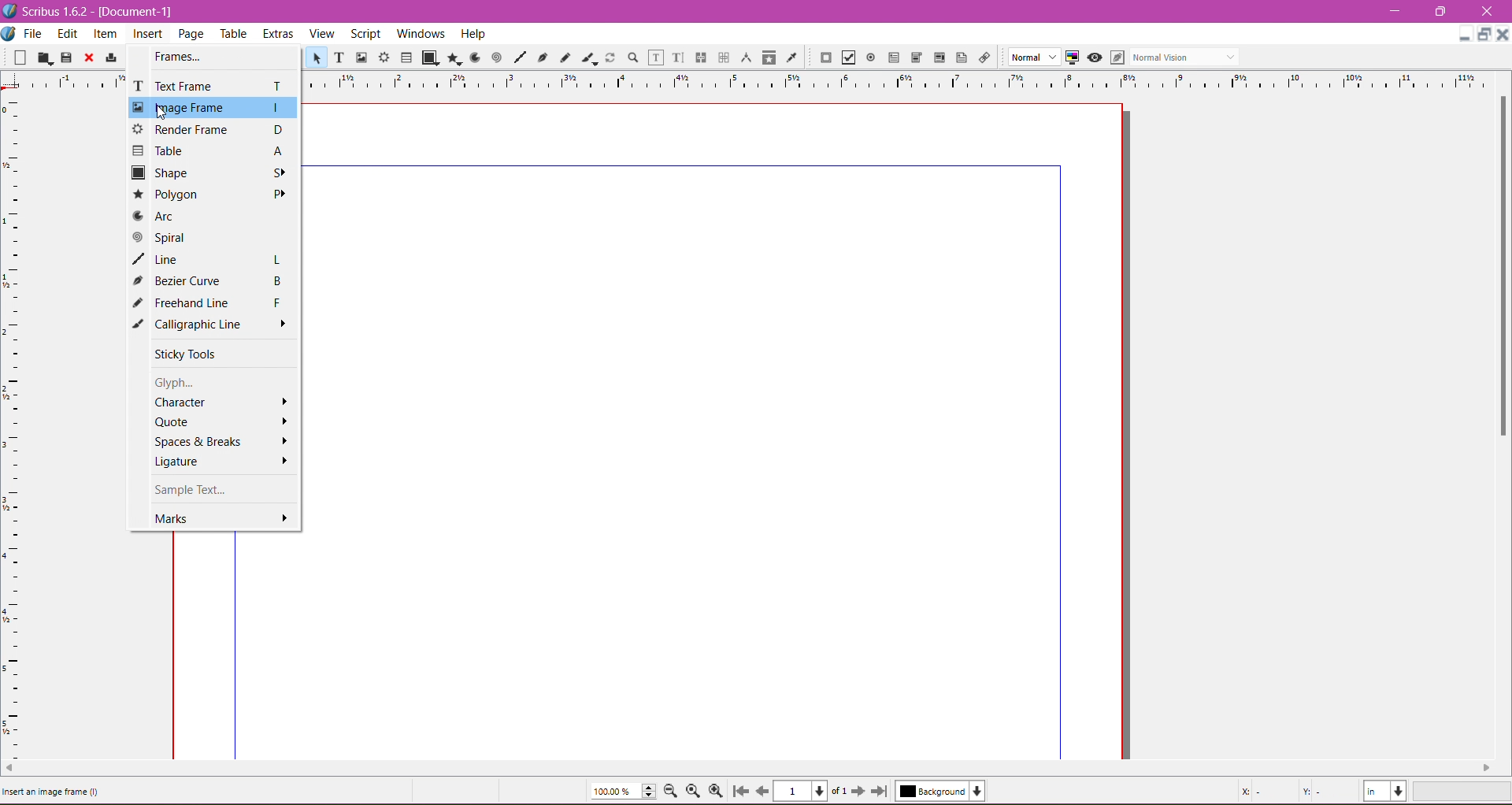  What do you see at coordinates (206, 490) in the screenshot?
I see `Sample Text` at bounding box center [206, 490].